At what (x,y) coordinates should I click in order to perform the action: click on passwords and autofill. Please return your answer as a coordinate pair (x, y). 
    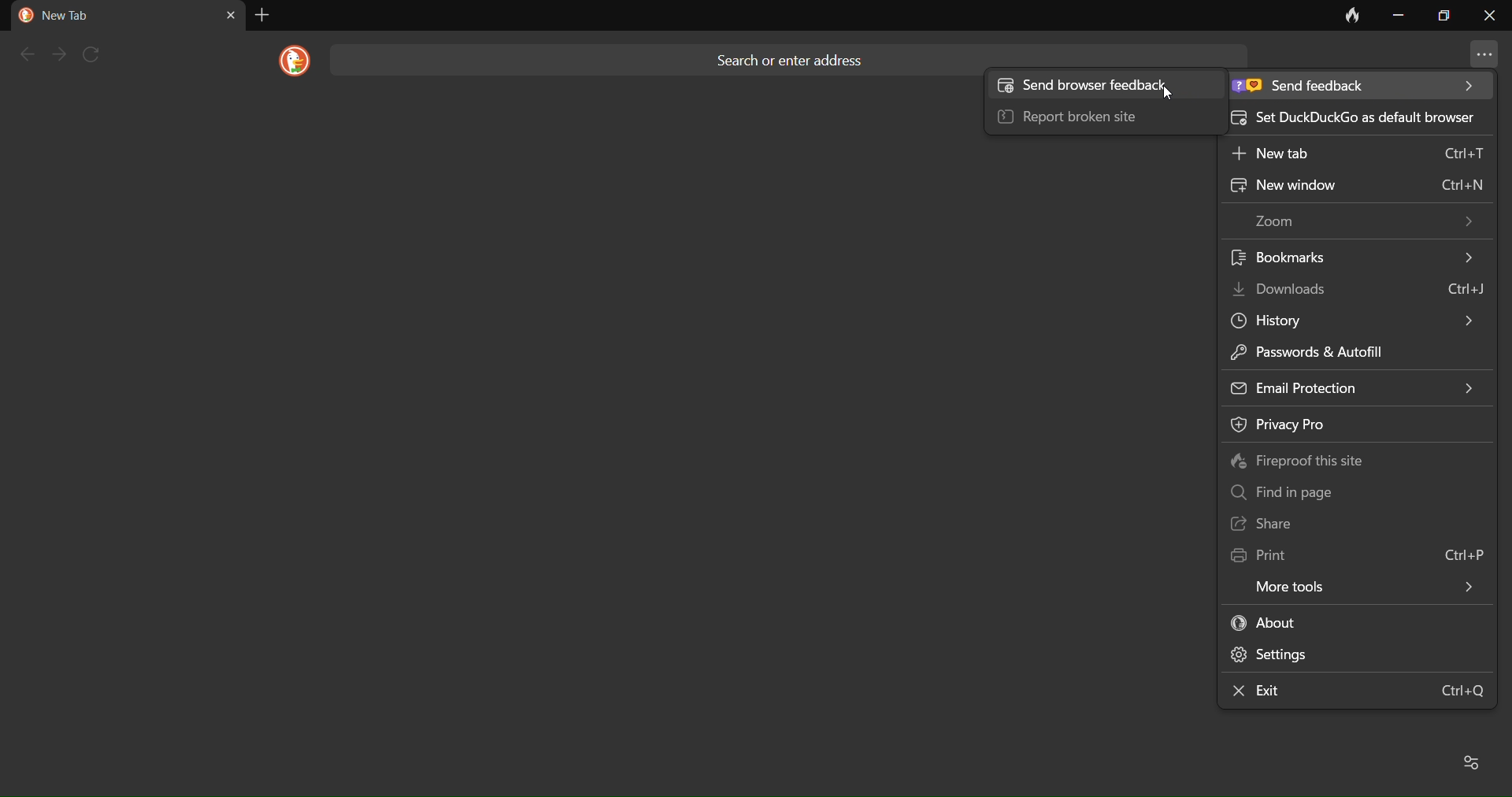
    Looking at the image, I should click on (1351, 350).